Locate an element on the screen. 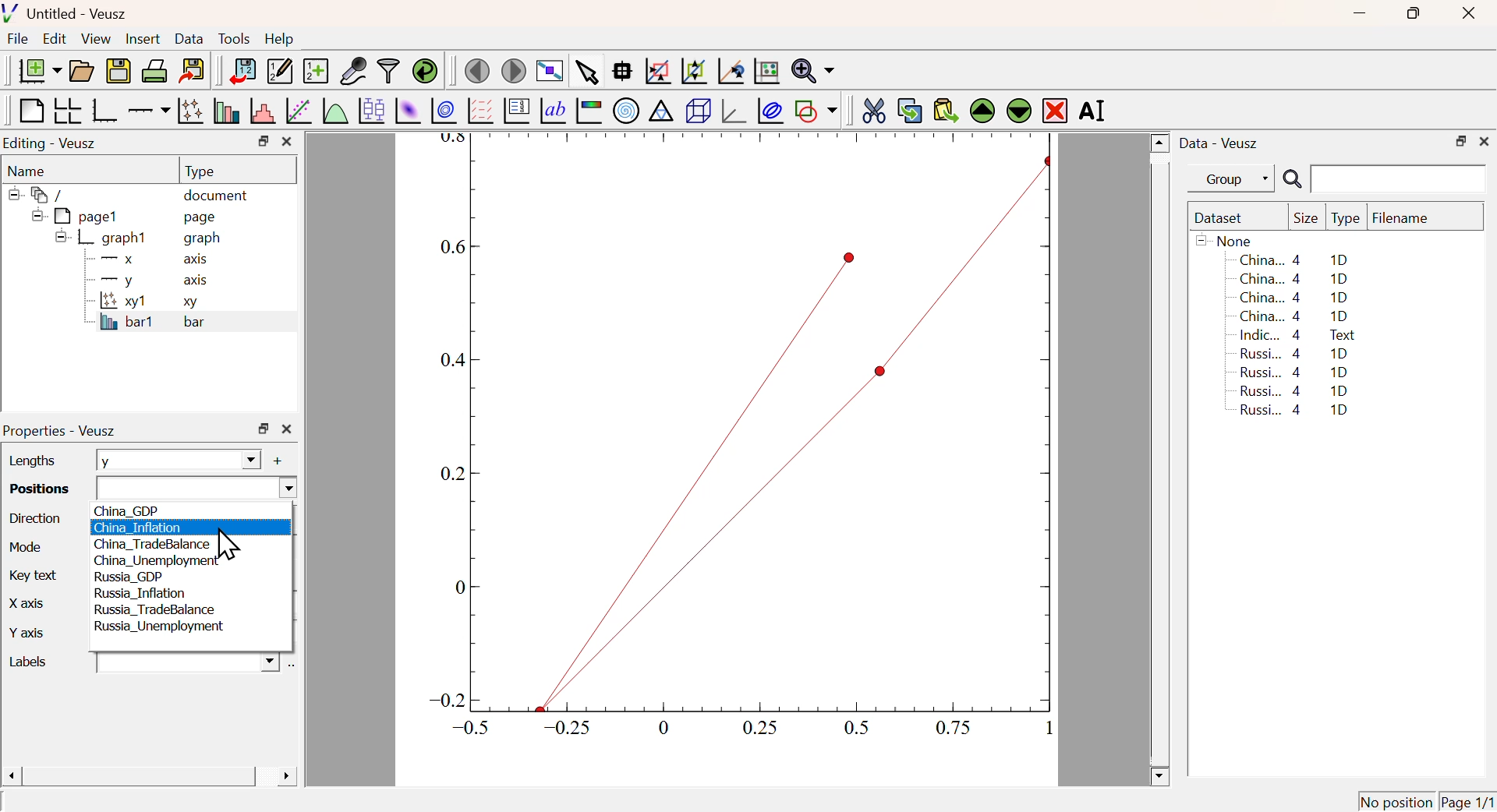  New Document is located at coordinates (39, 71).